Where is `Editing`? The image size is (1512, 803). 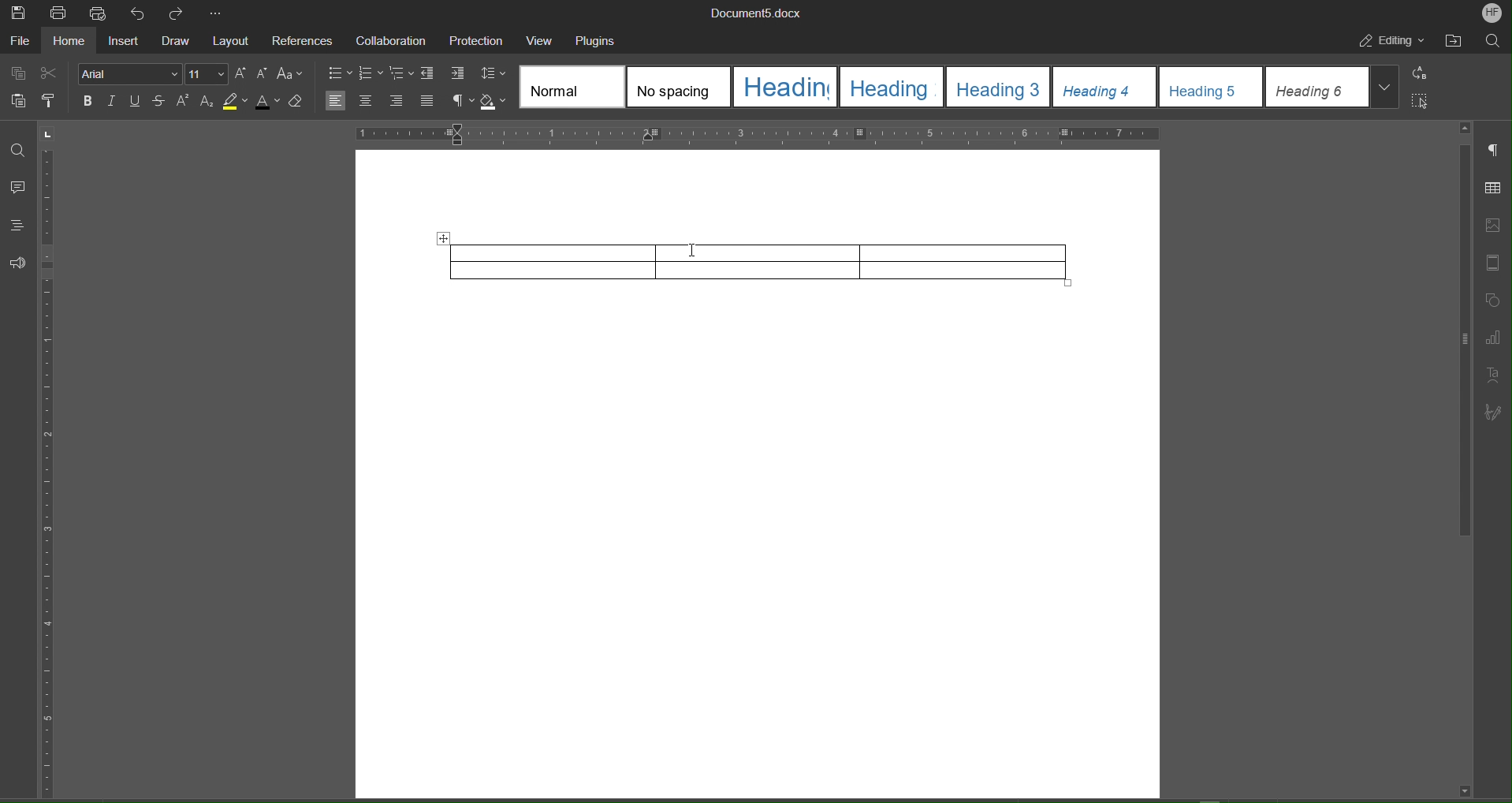
Editing is located at coordinates (1393, 43).